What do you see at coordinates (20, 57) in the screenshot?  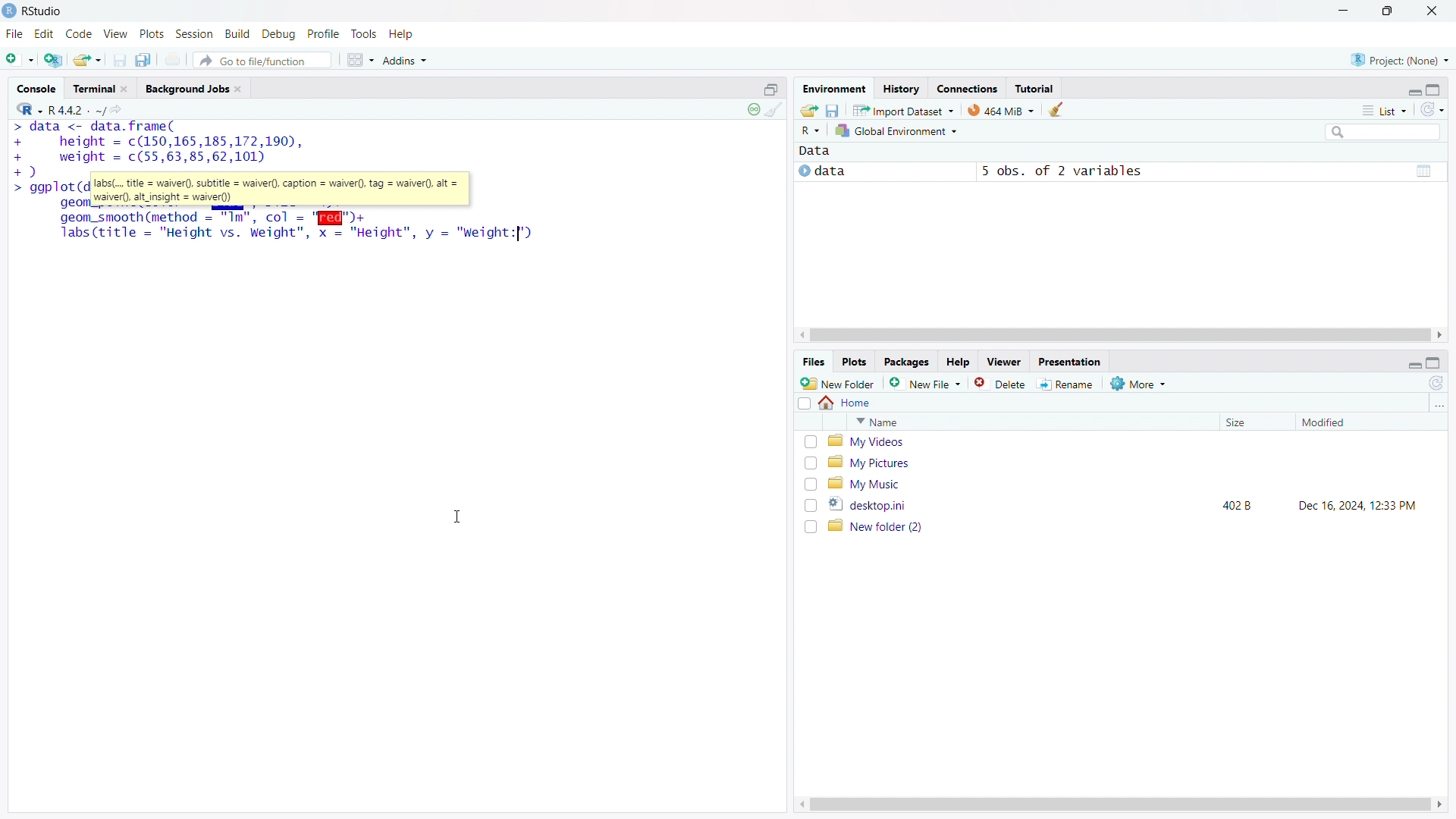 I see `new file` at bounding box center [20, 57].